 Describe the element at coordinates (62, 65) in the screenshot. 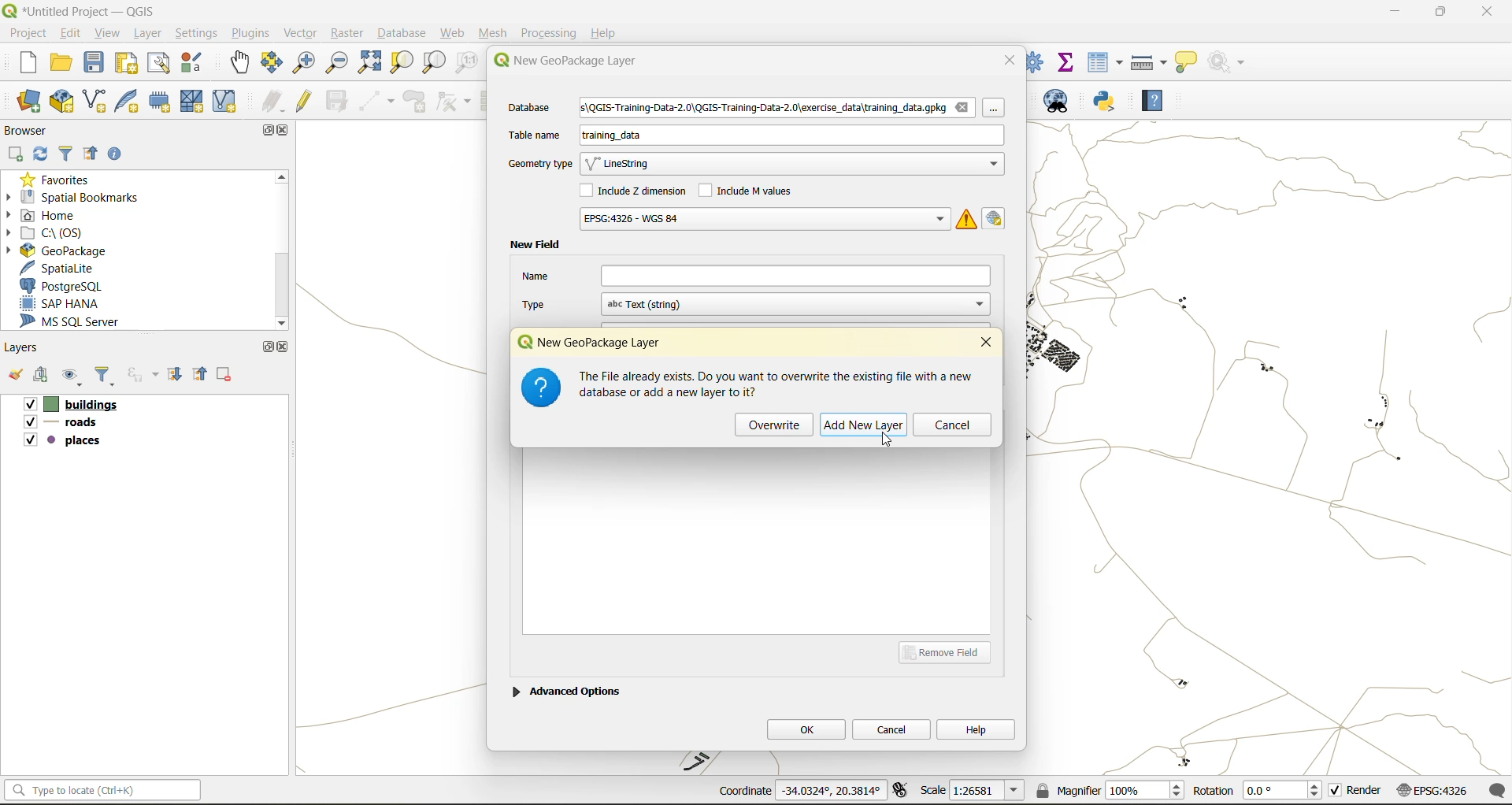

I see `open` at that location.